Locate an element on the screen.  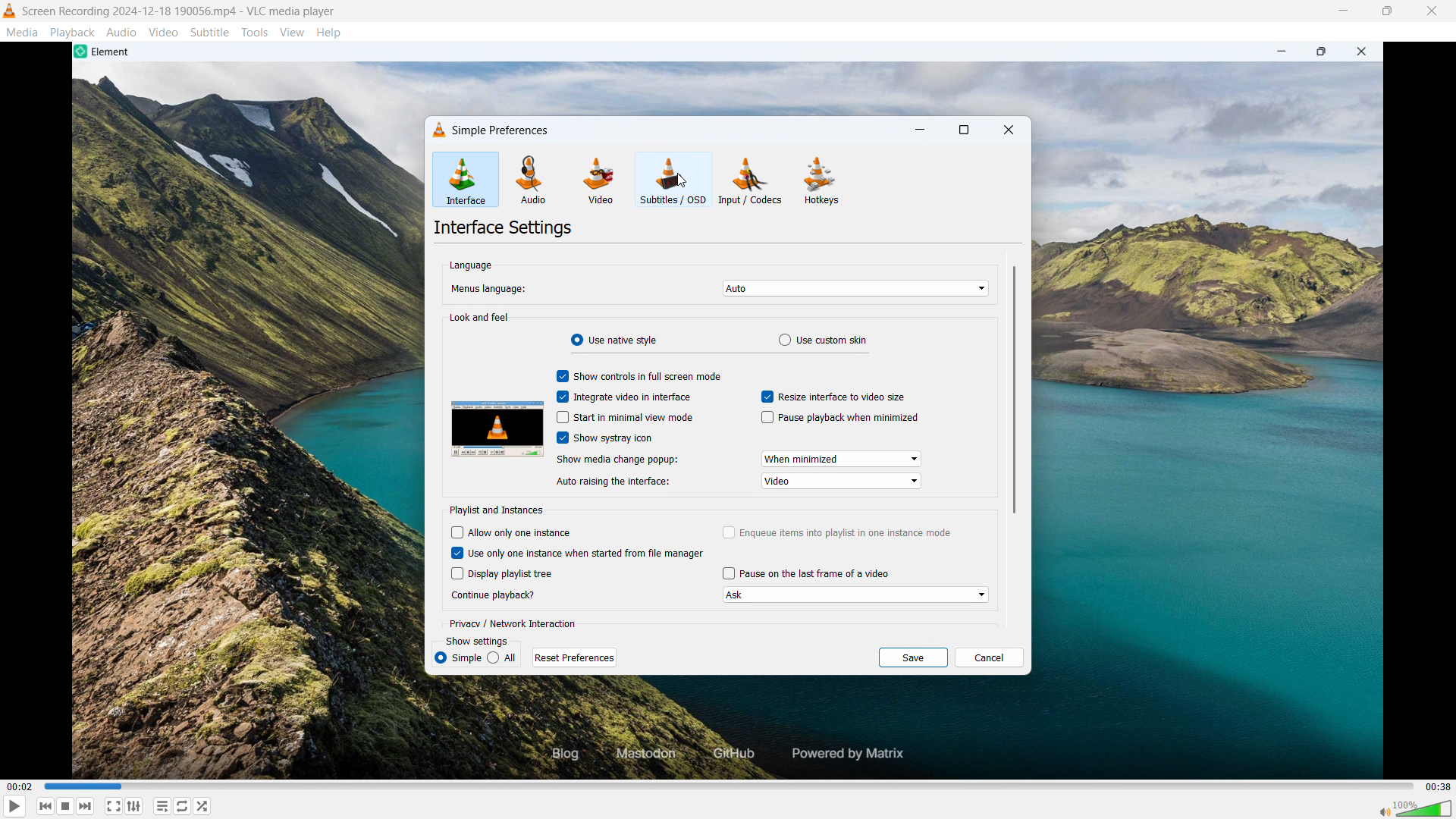
vlc logo is located at coordinates (438, 127).